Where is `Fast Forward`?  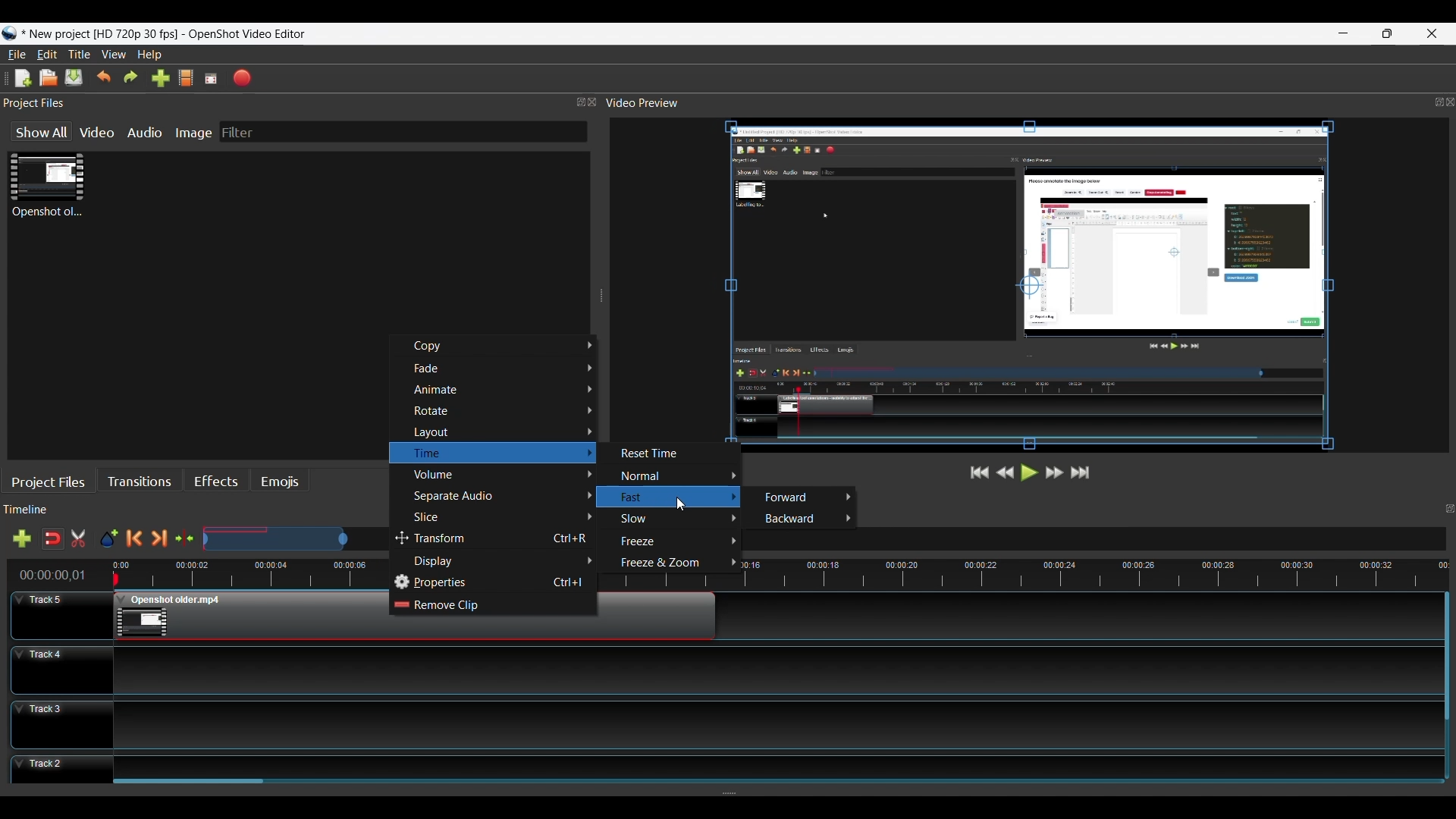 Fast Forward is located at coordinates (1052, 472).